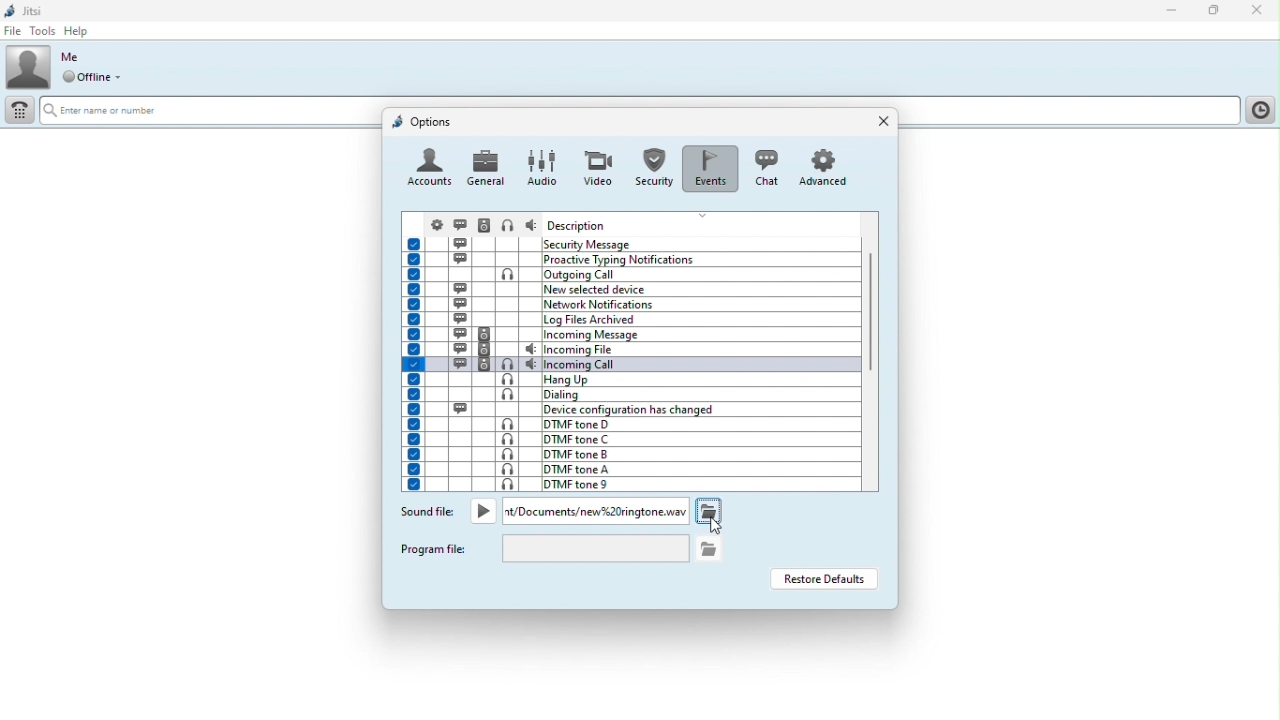  Describe the element at coordinates (764, 166) in the screenshot. I see `Chat` at that location.